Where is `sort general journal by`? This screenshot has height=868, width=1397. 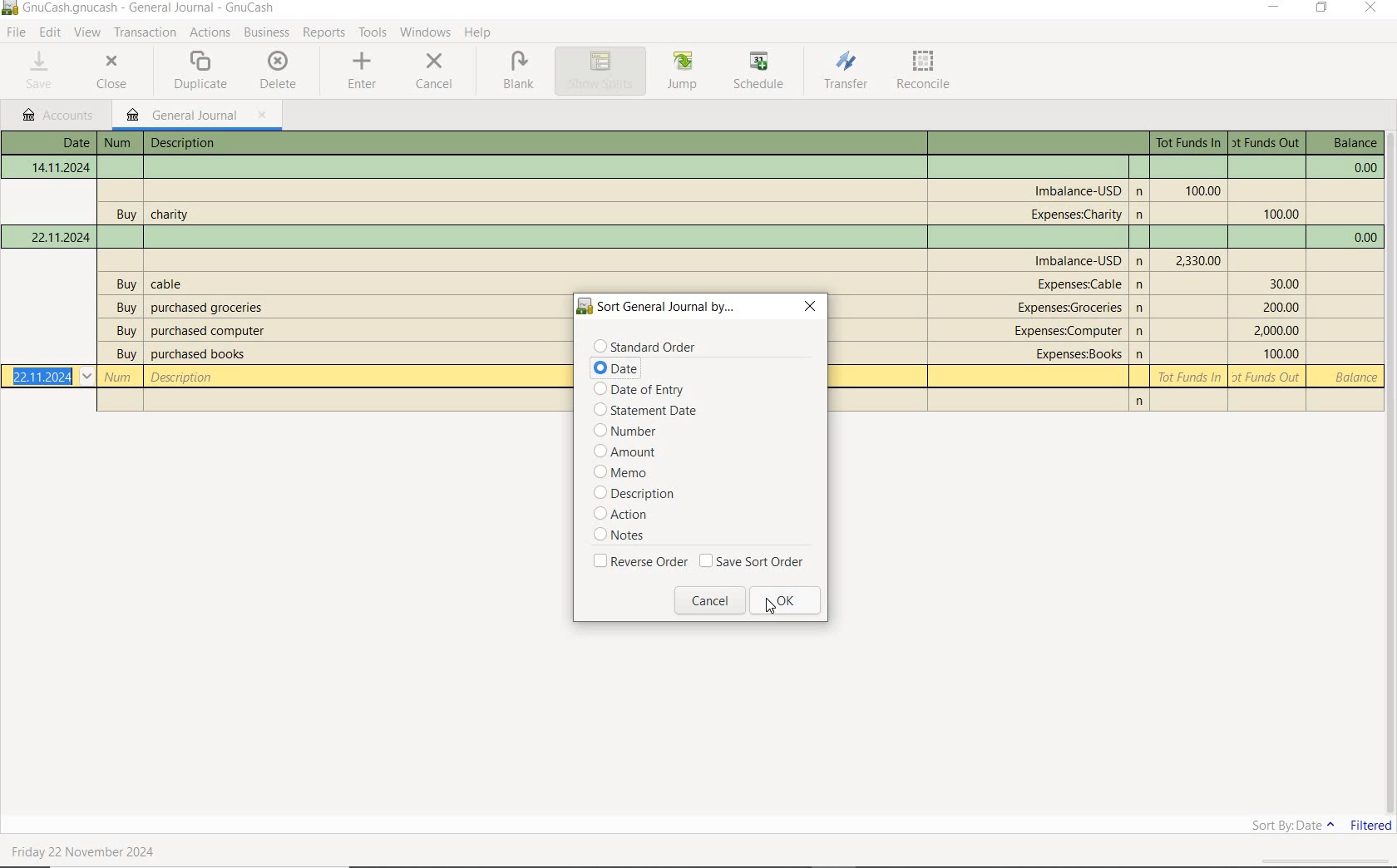
sort general journal by is located at coordinates (659, 307).